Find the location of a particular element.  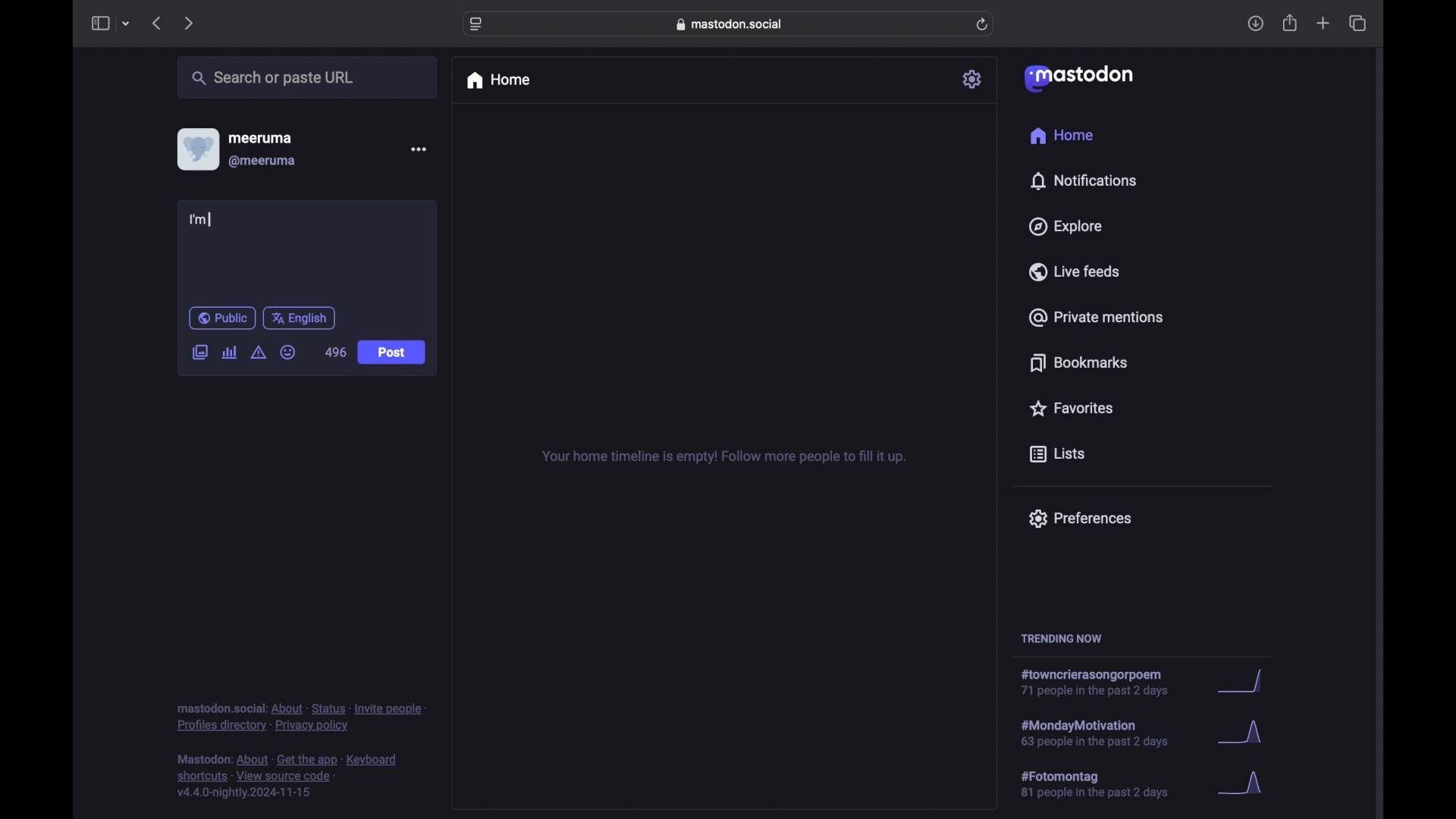

downloads is located at coordinates (1255, 24).